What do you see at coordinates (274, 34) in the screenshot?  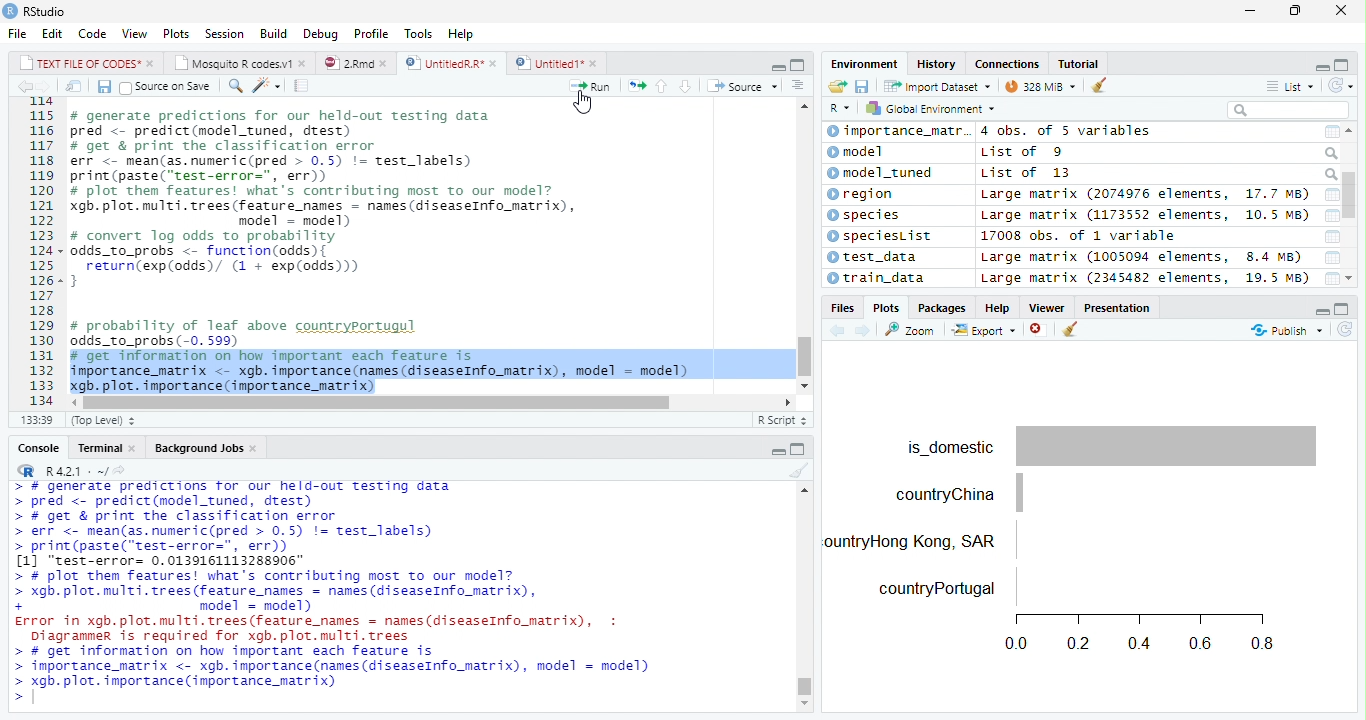 I see `Build` at bounding box center [274, 34].